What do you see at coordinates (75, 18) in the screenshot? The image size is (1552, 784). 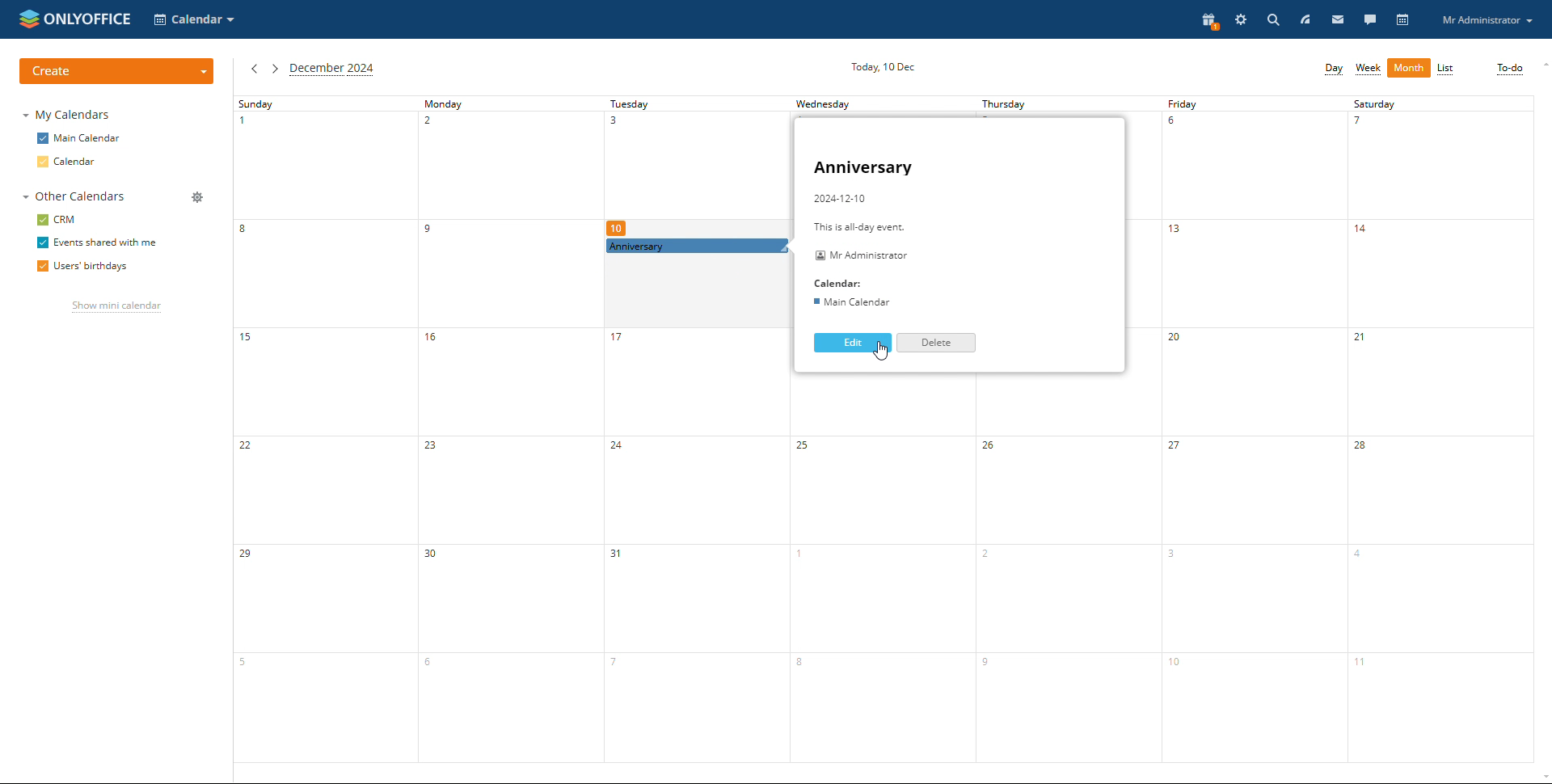 I see `logo` at bounding box center [75, 18].